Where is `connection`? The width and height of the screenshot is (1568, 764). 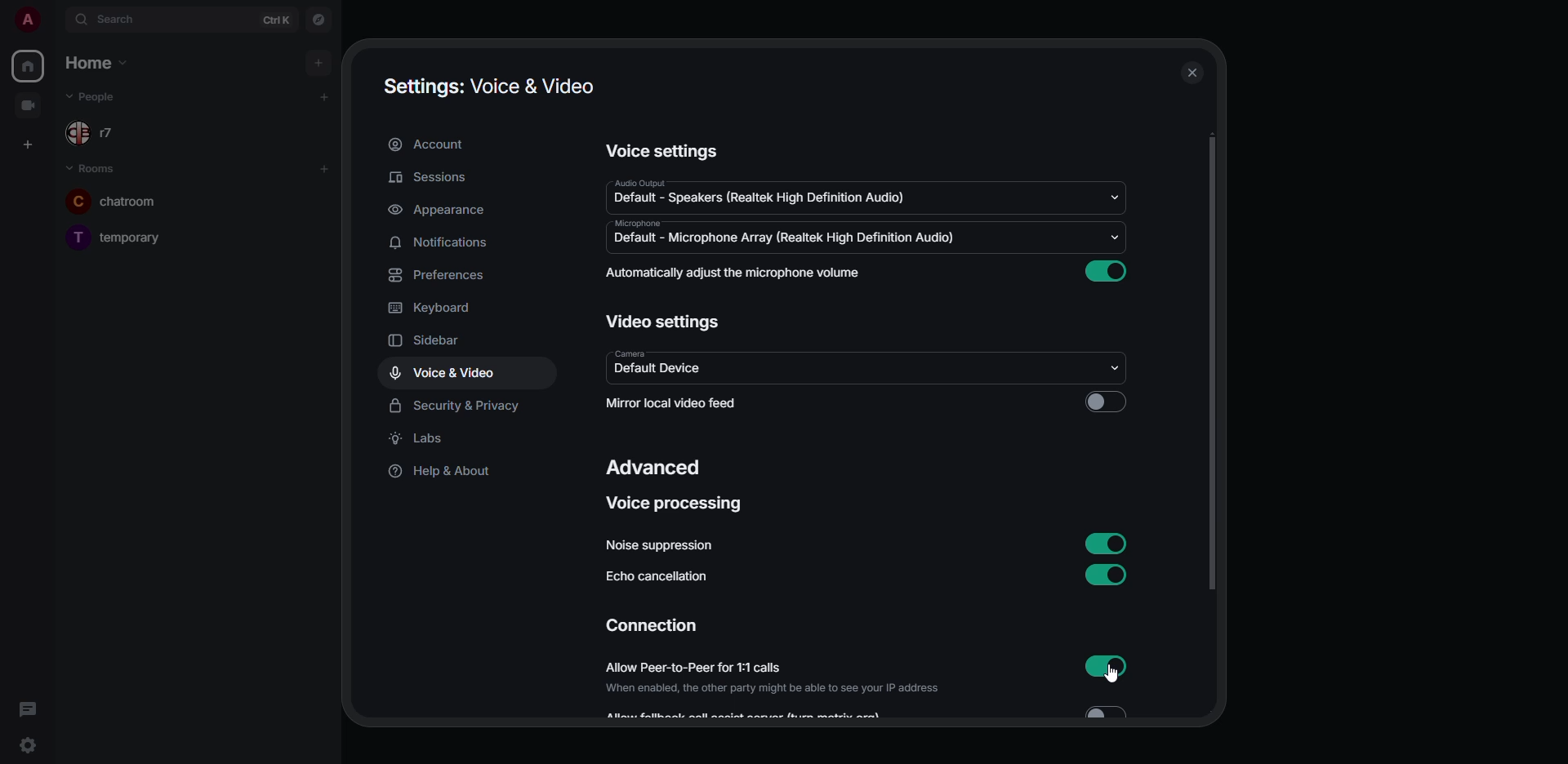 connection is located at coordinates (650, 627).